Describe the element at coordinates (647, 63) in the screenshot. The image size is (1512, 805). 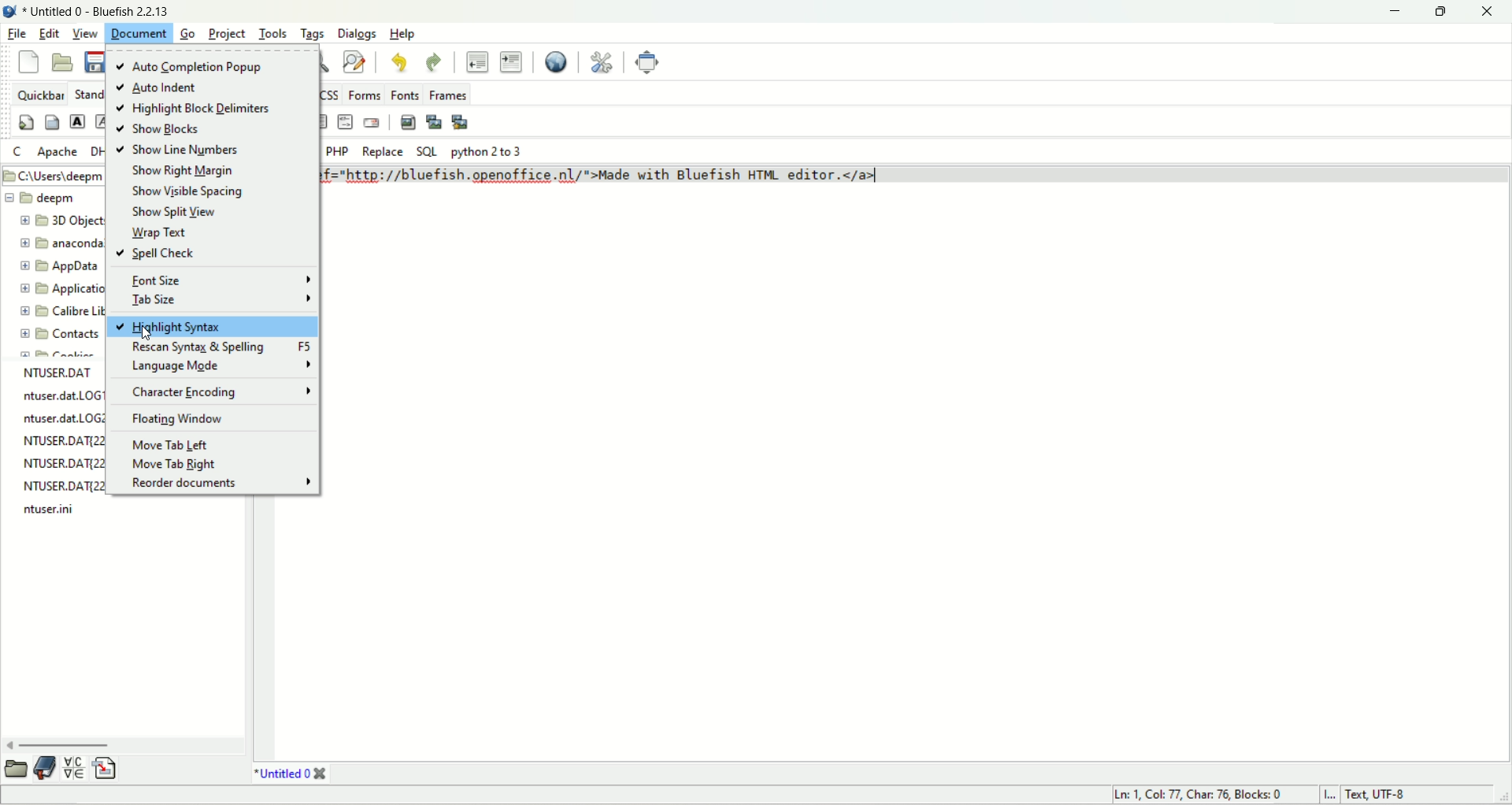
I see `fullscreen` at that location.